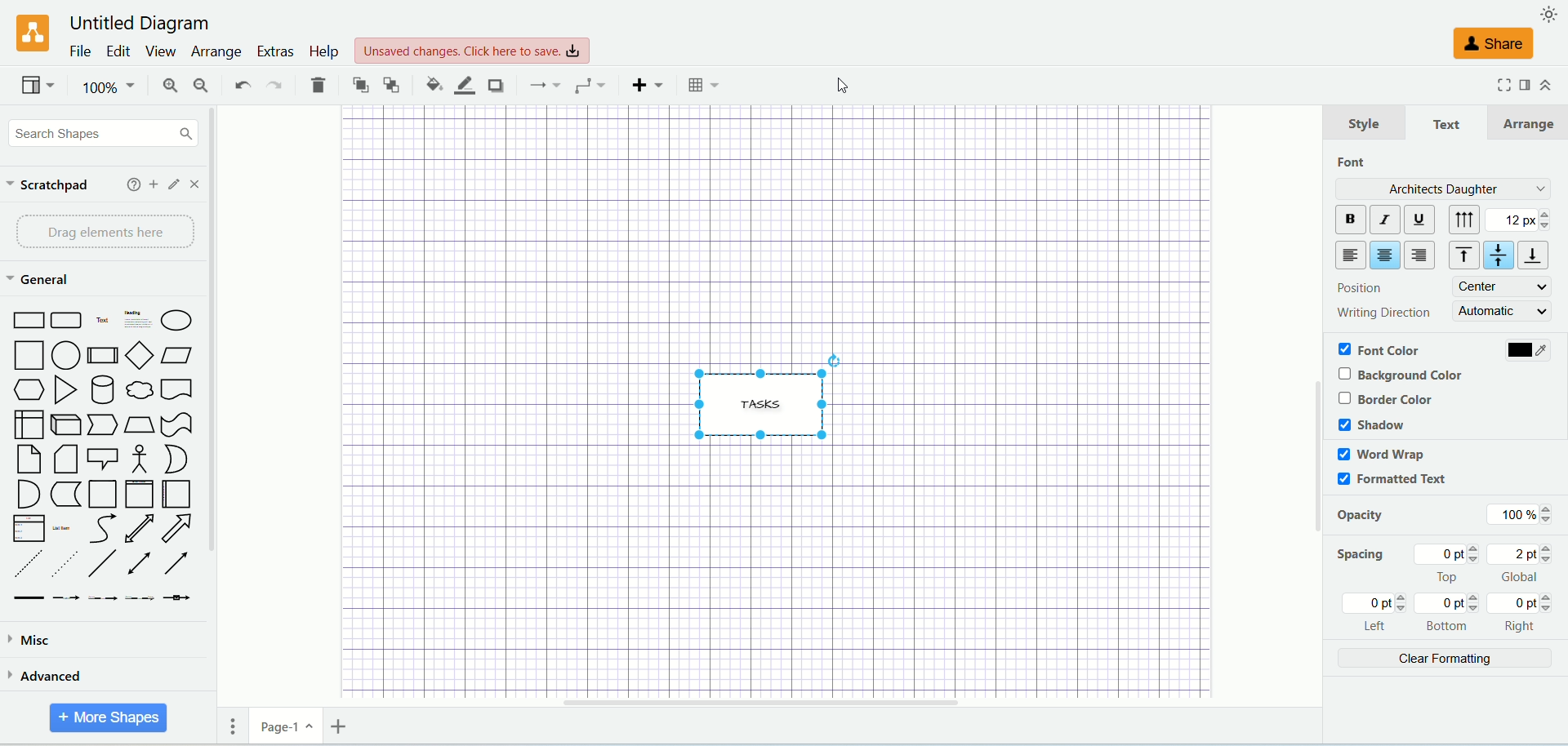 Image resolution: width=1568 pixels, height=746 pixels. I want to click on Heading, so click(139, 317).